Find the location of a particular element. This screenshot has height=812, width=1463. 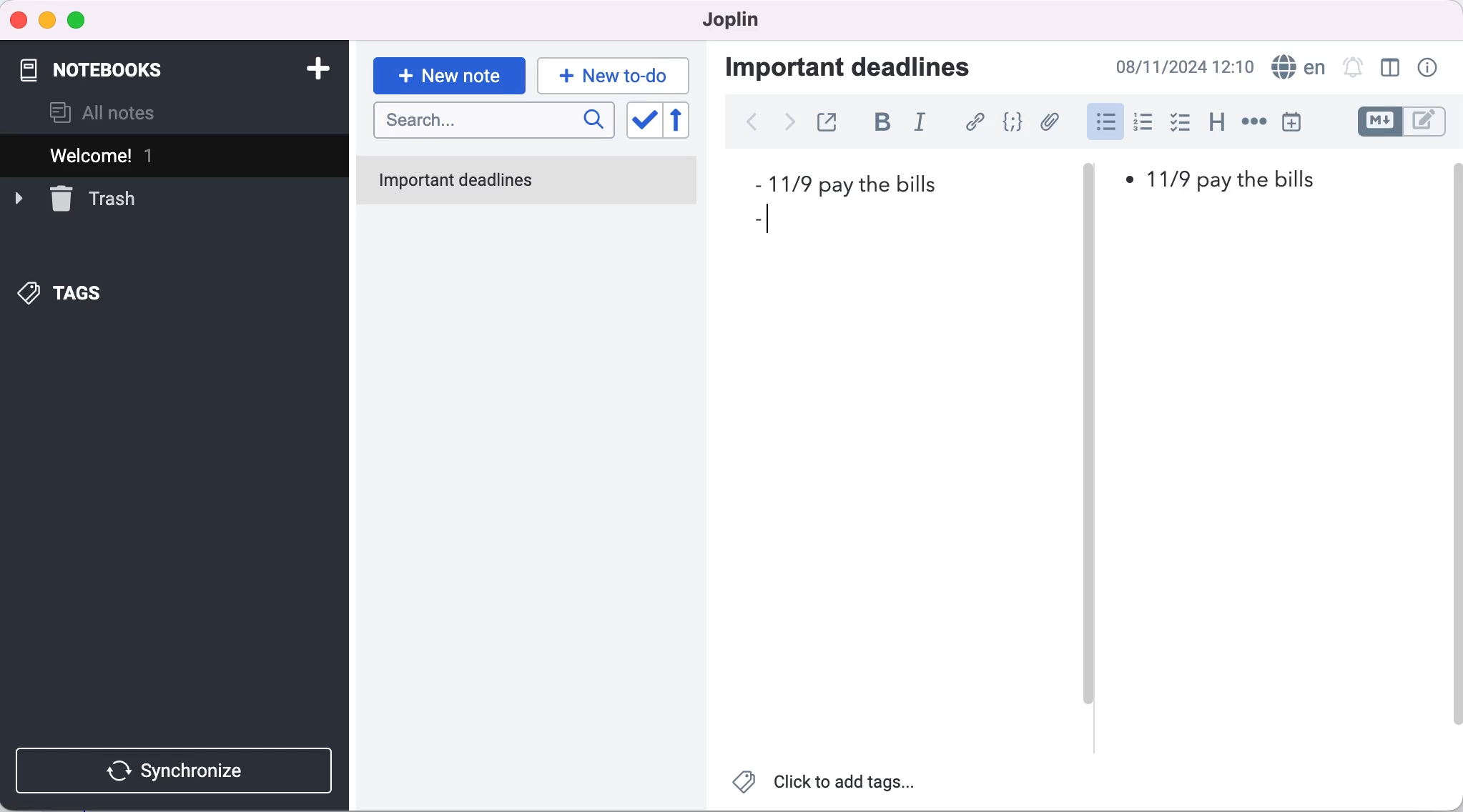

click to add tags is located at coordinates (829, 784).